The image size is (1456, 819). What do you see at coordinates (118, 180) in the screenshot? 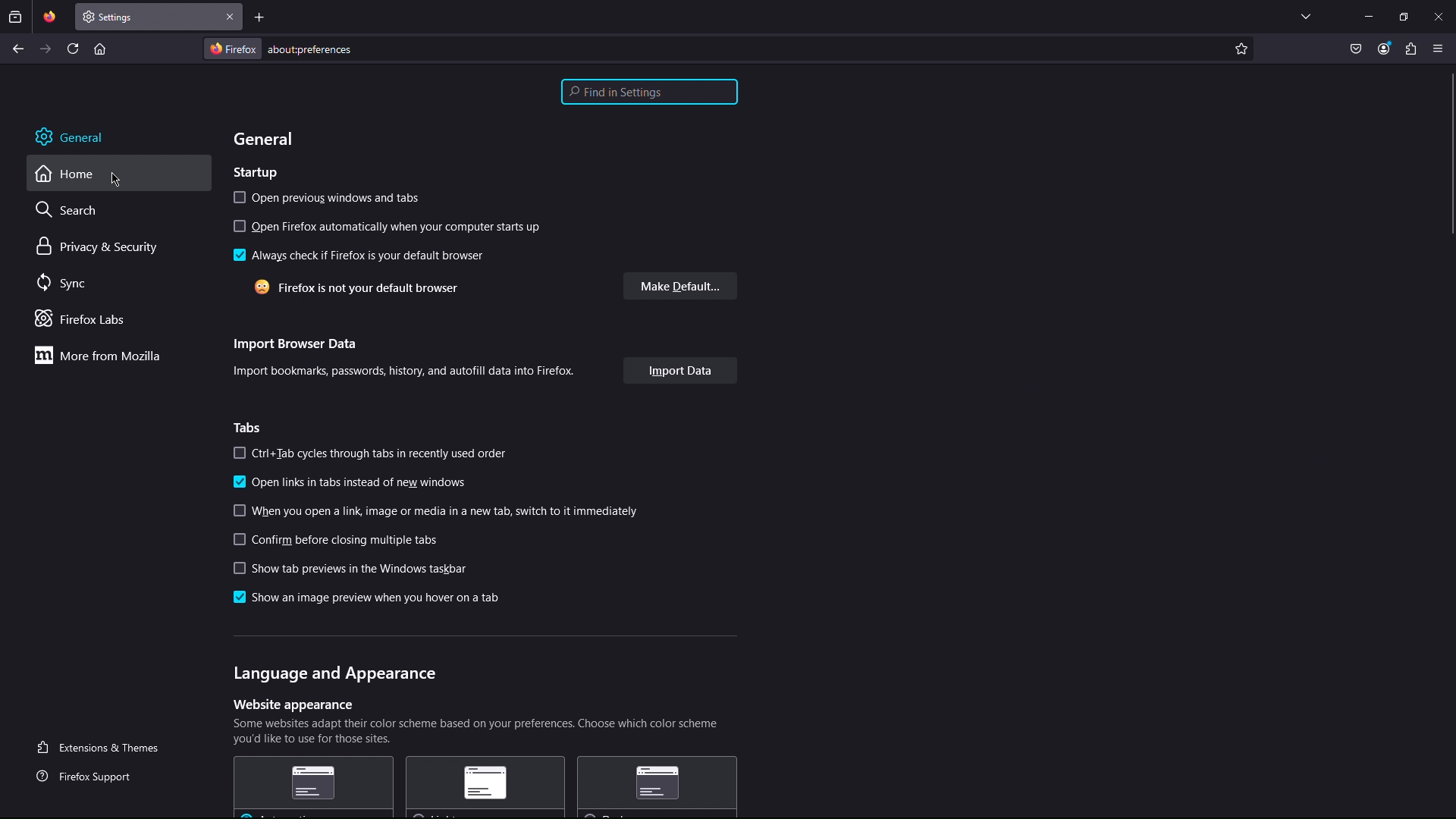
I see `Cursor at Home` at bounding box center [118, 180].